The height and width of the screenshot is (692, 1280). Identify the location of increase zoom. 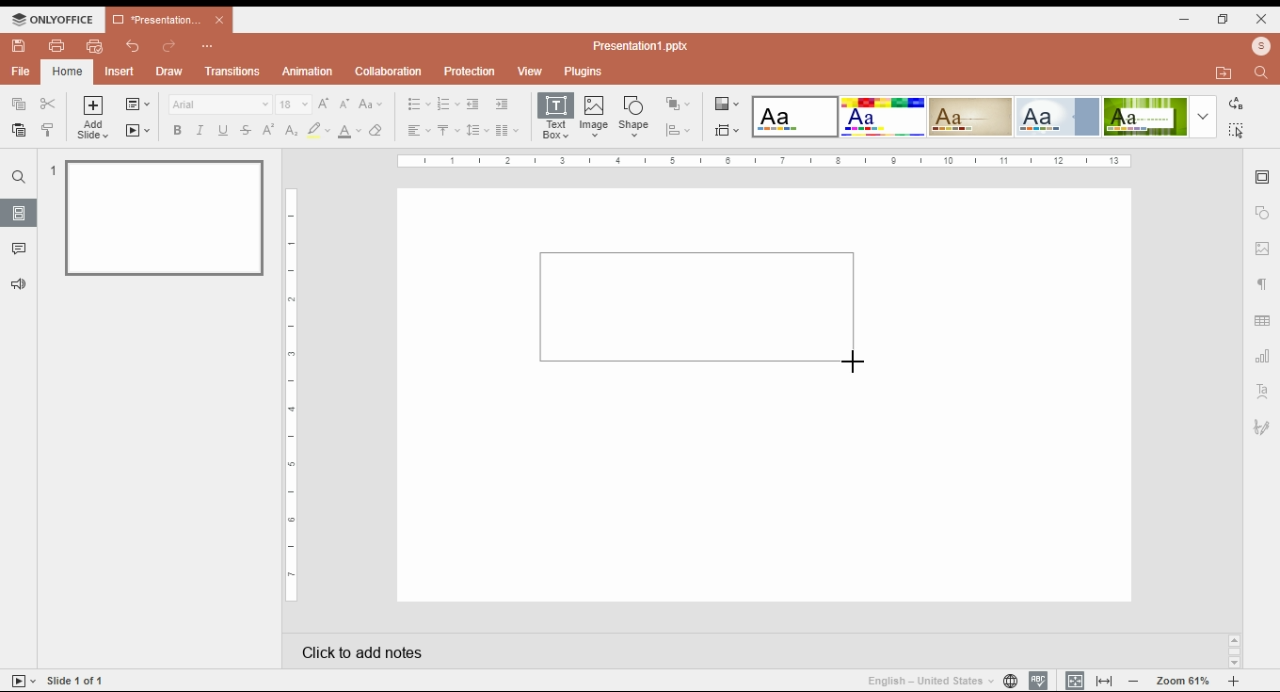
(1234, 681).